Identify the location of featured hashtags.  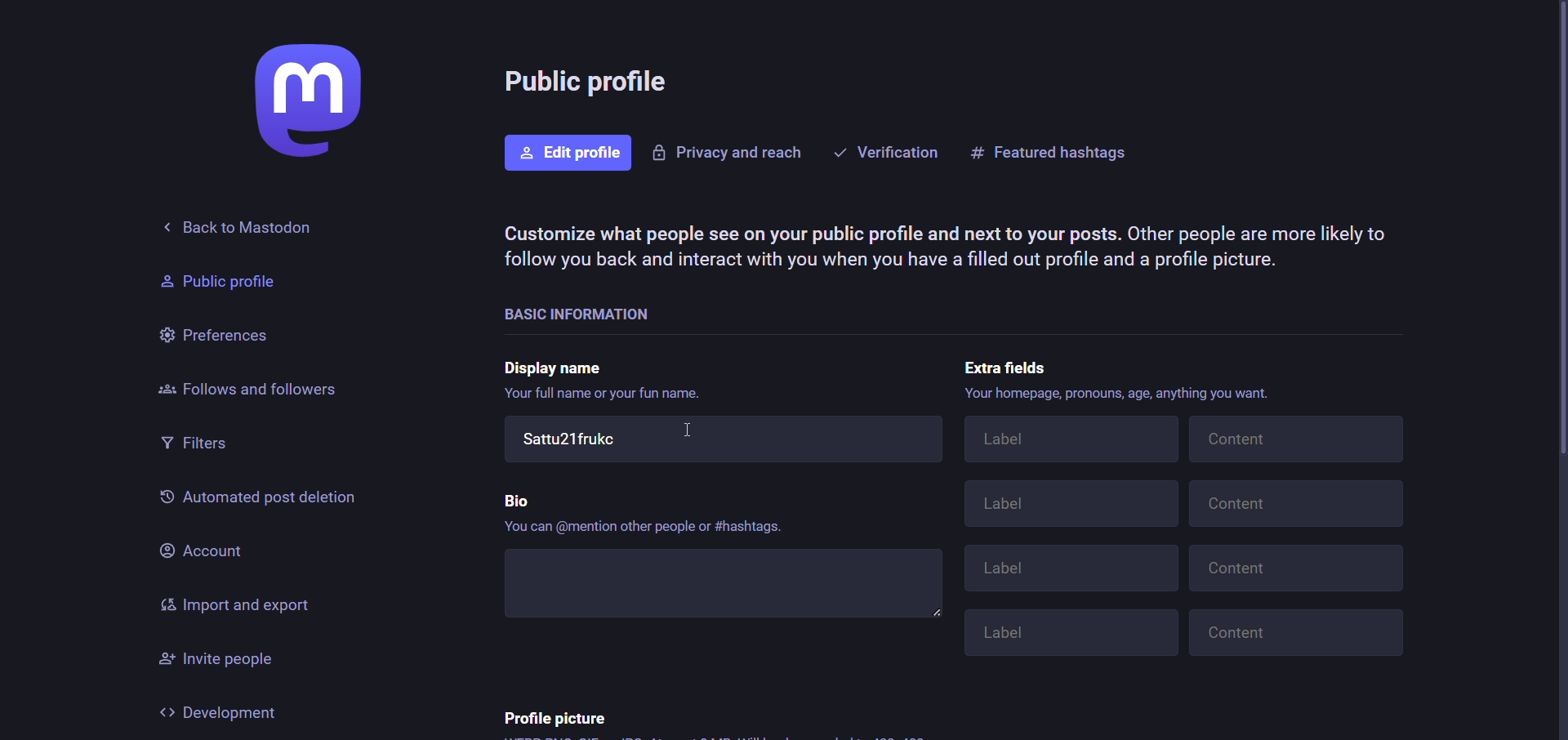
(1053, 150).